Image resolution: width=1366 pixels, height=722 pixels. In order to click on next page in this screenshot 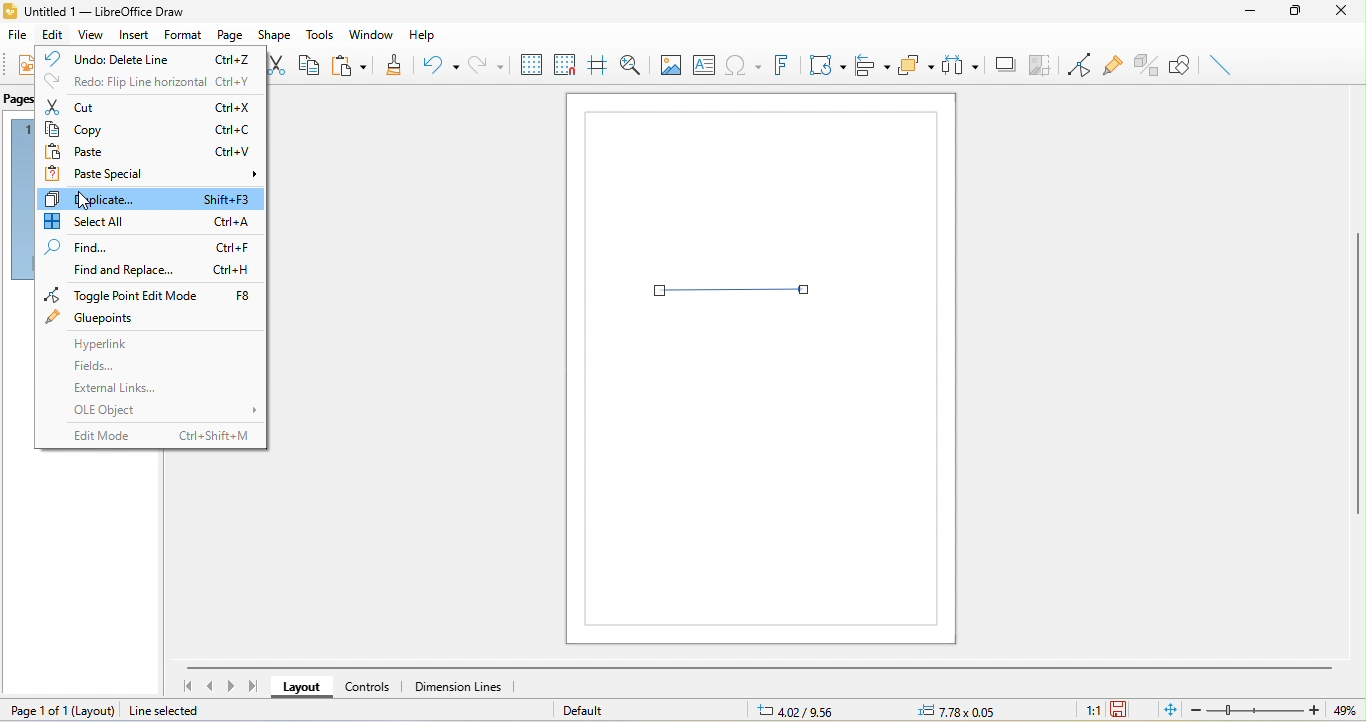, I will do `click(232, 685)`.